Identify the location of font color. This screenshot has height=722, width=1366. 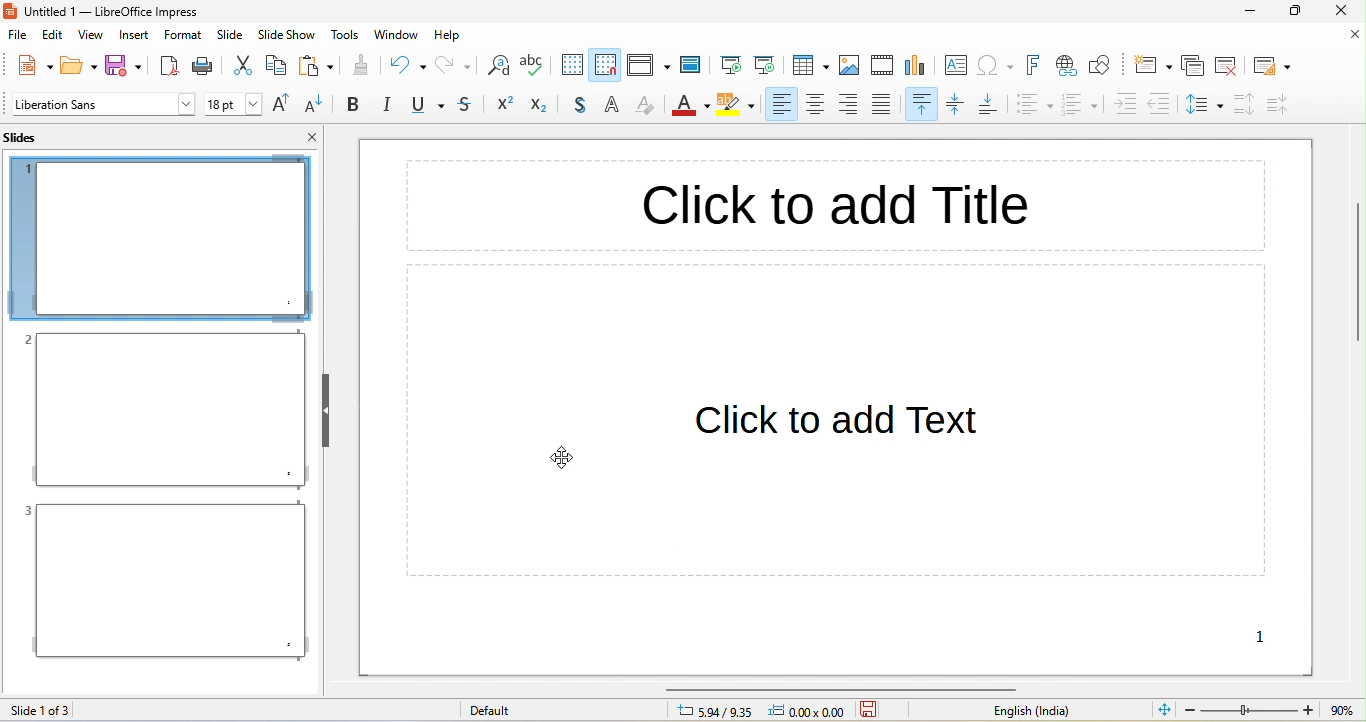
(689, 108).